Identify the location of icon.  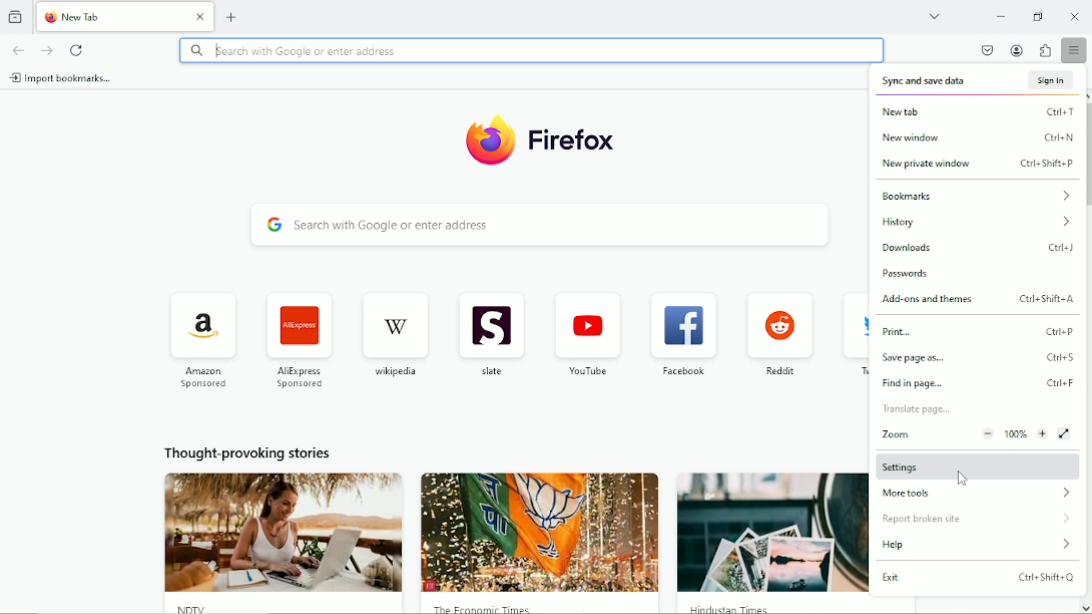
(781, 325).